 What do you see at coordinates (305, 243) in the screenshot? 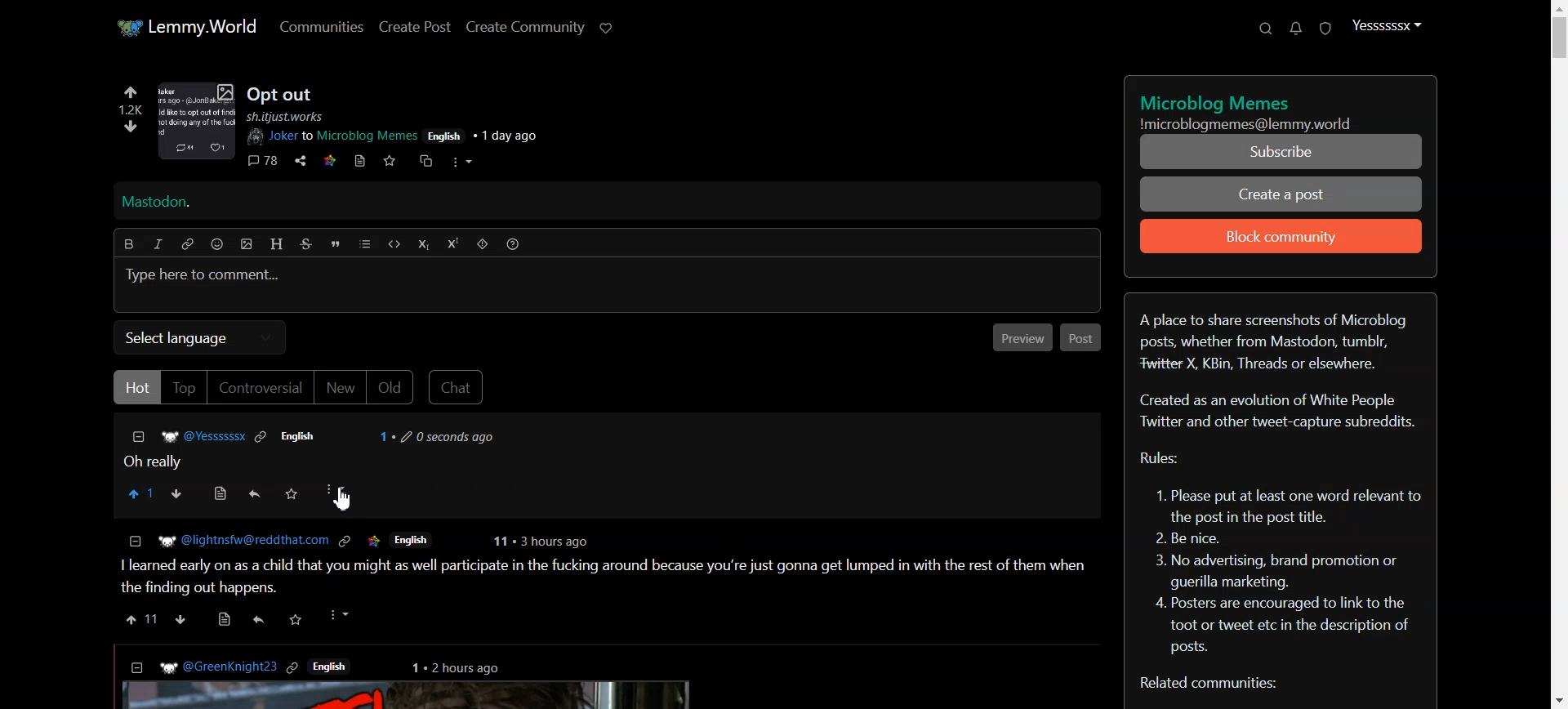
I see `Strikethrough` at bounding box center [305, 243].